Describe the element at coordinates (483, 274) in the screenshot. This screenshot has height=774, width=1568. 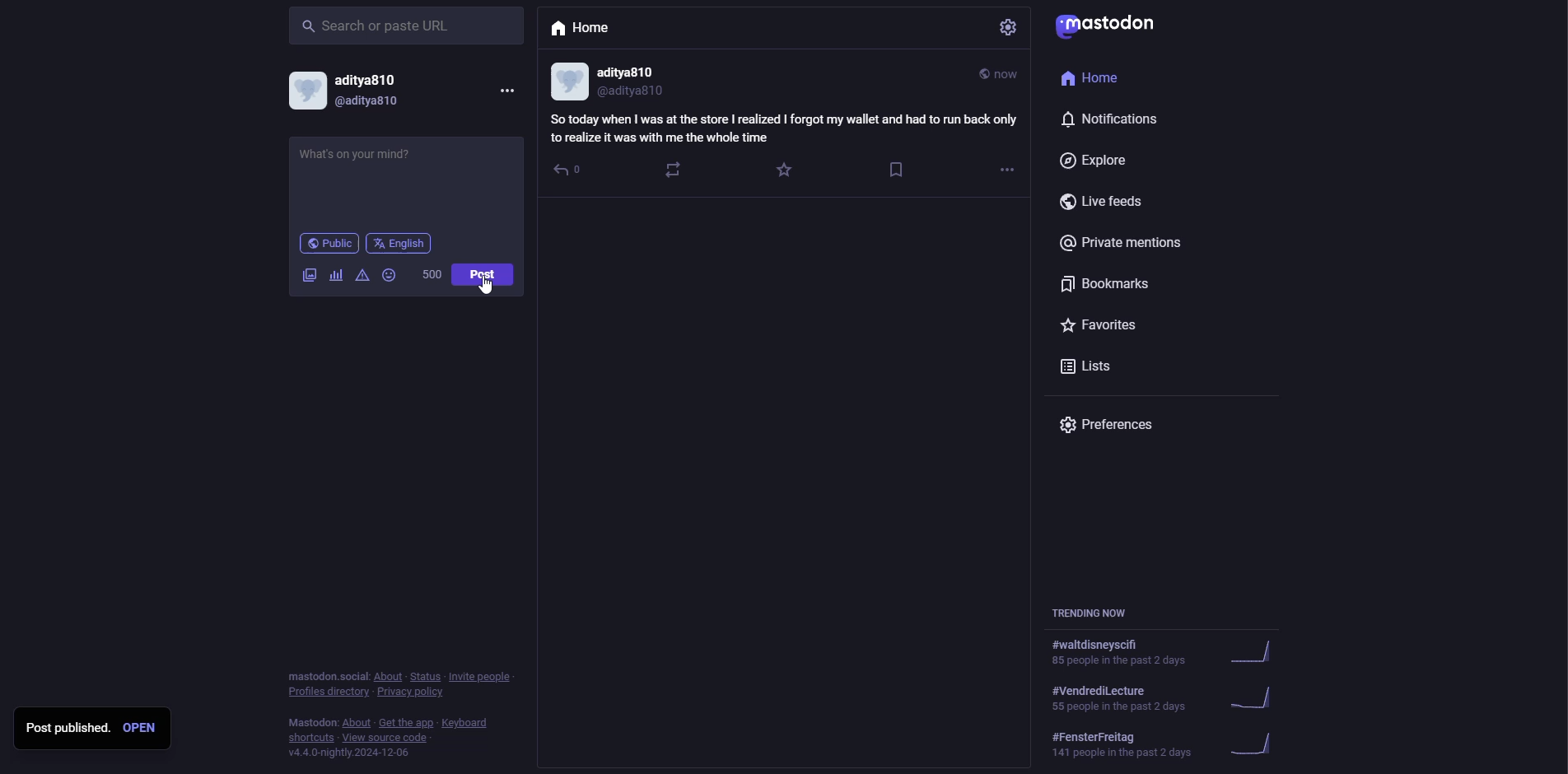
I see `post` at that location.